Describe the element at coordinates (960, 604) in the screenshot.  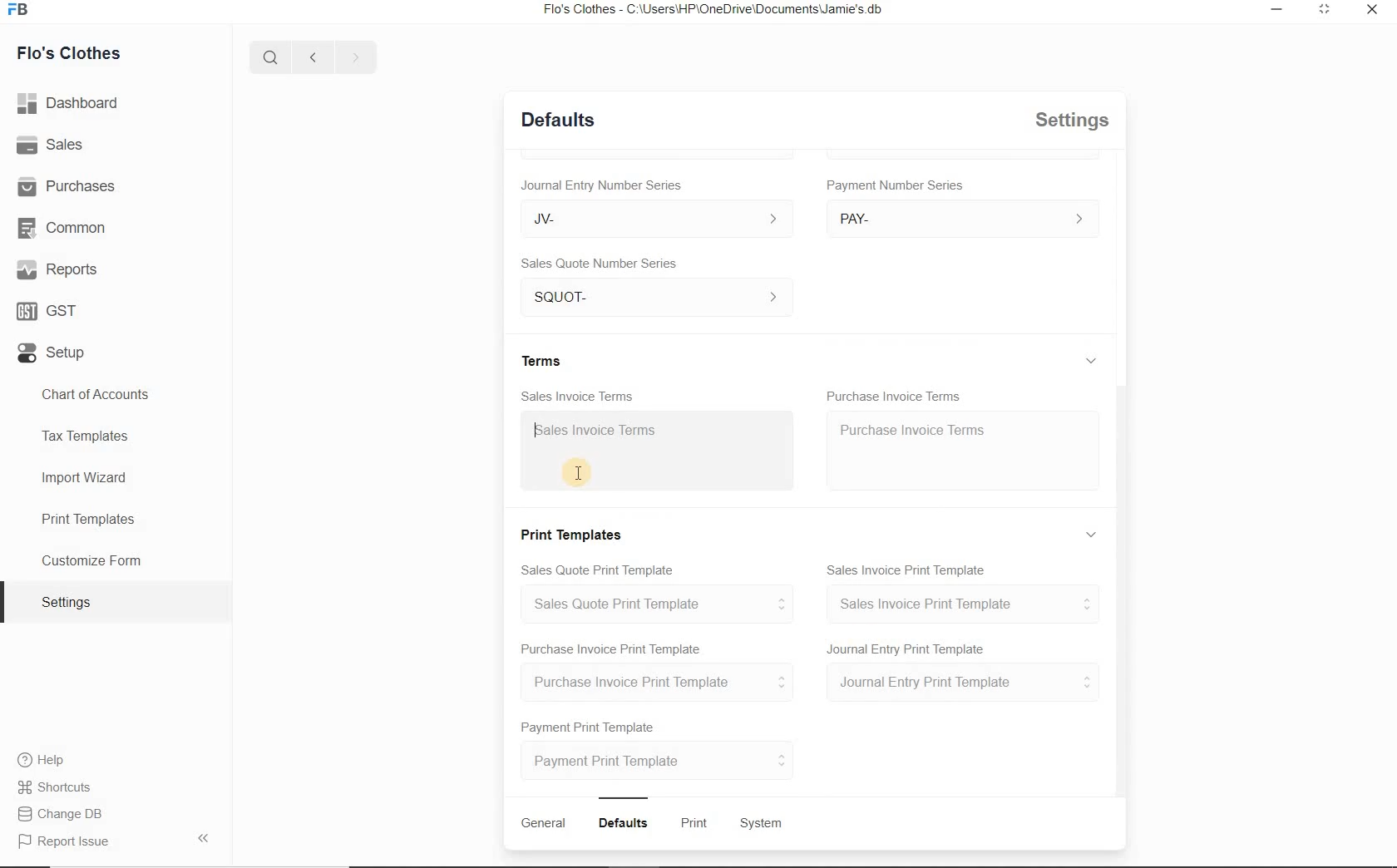
I see `Sales Invoice Print Template` at that location.